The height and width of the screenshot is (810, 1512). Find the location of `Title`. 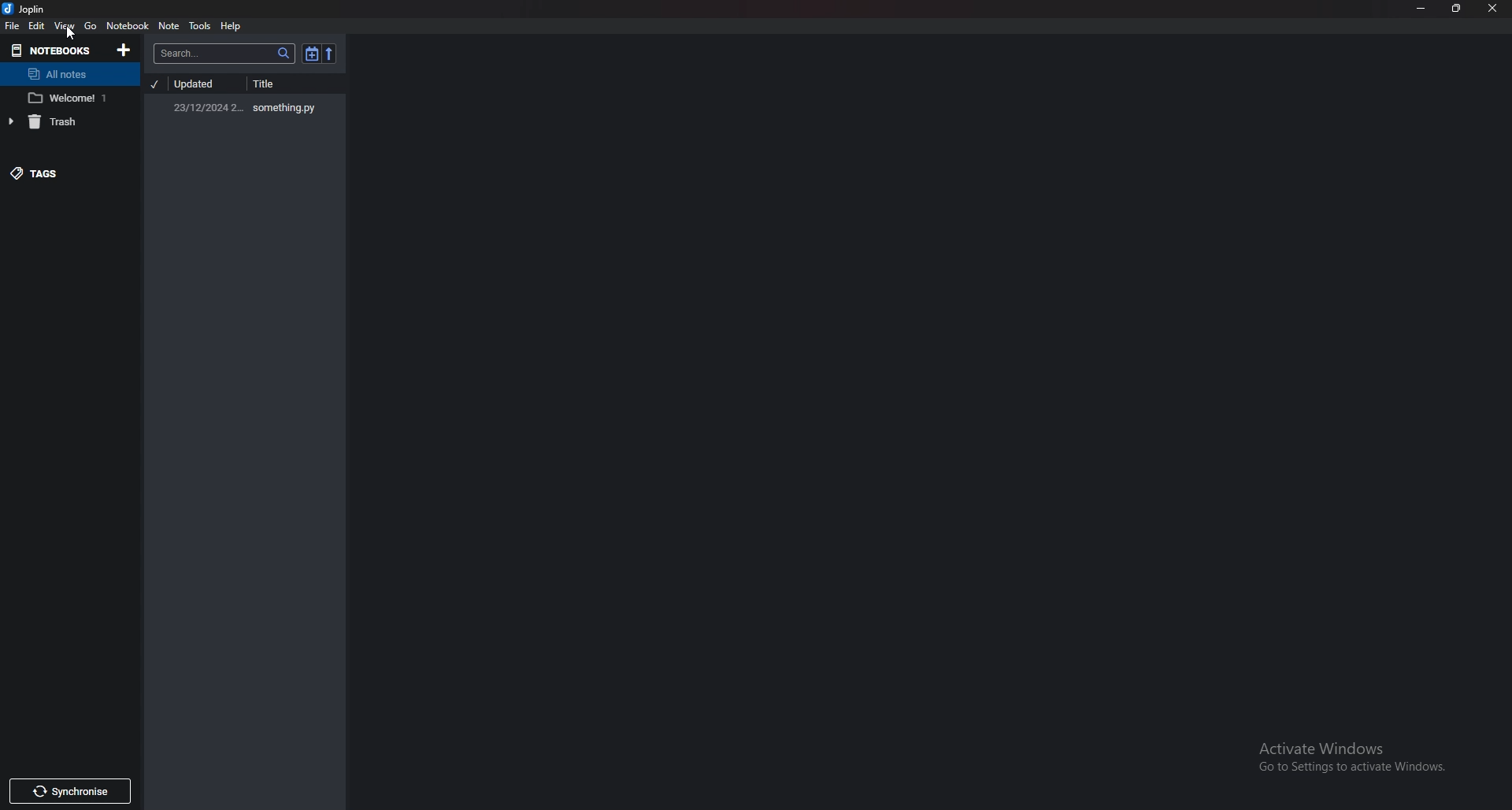

Title is located at coordinates (283, 84).